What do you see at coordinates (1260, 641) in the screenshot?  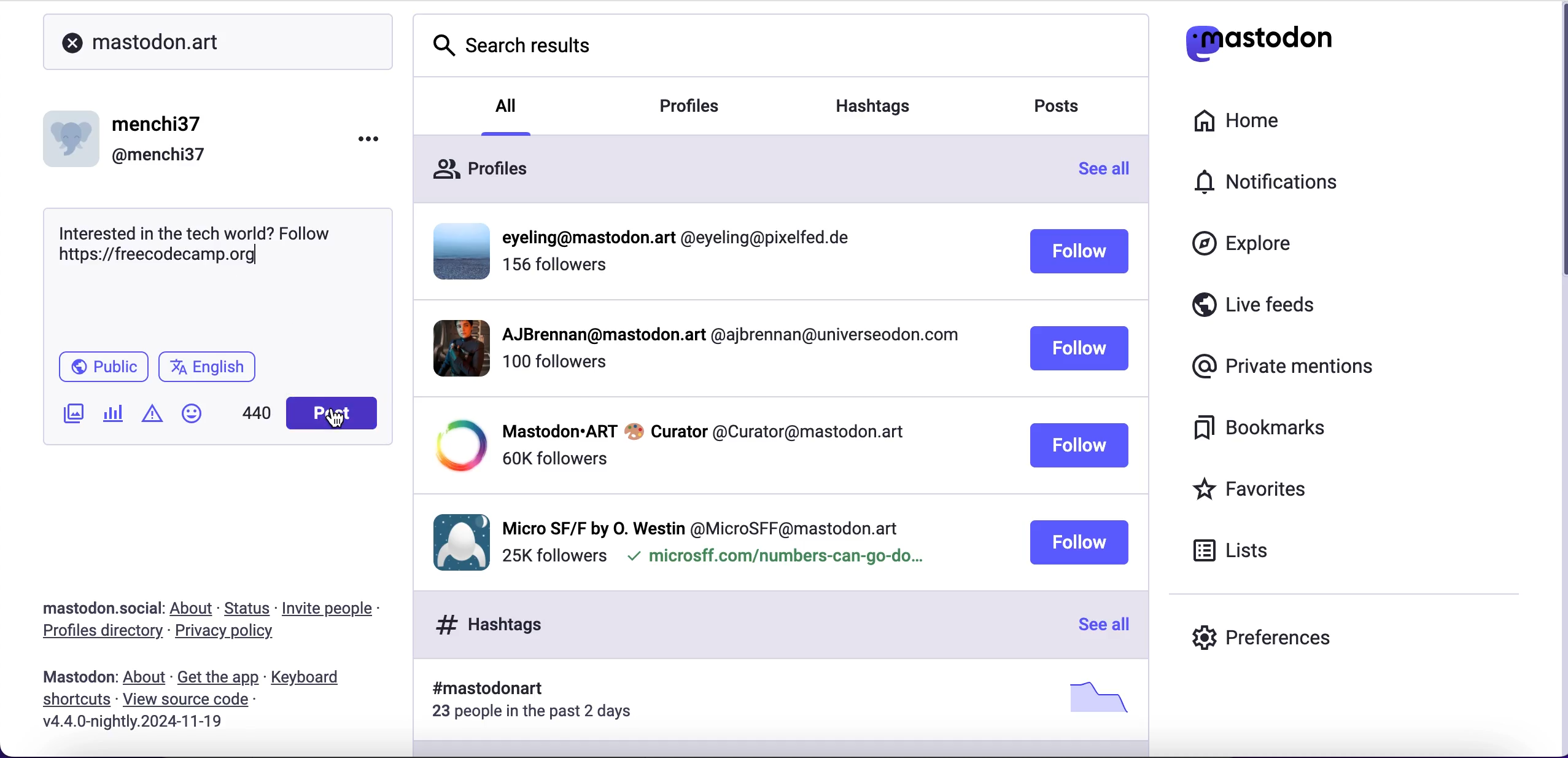 I see `preferences` at bounding box center [1260, 641].